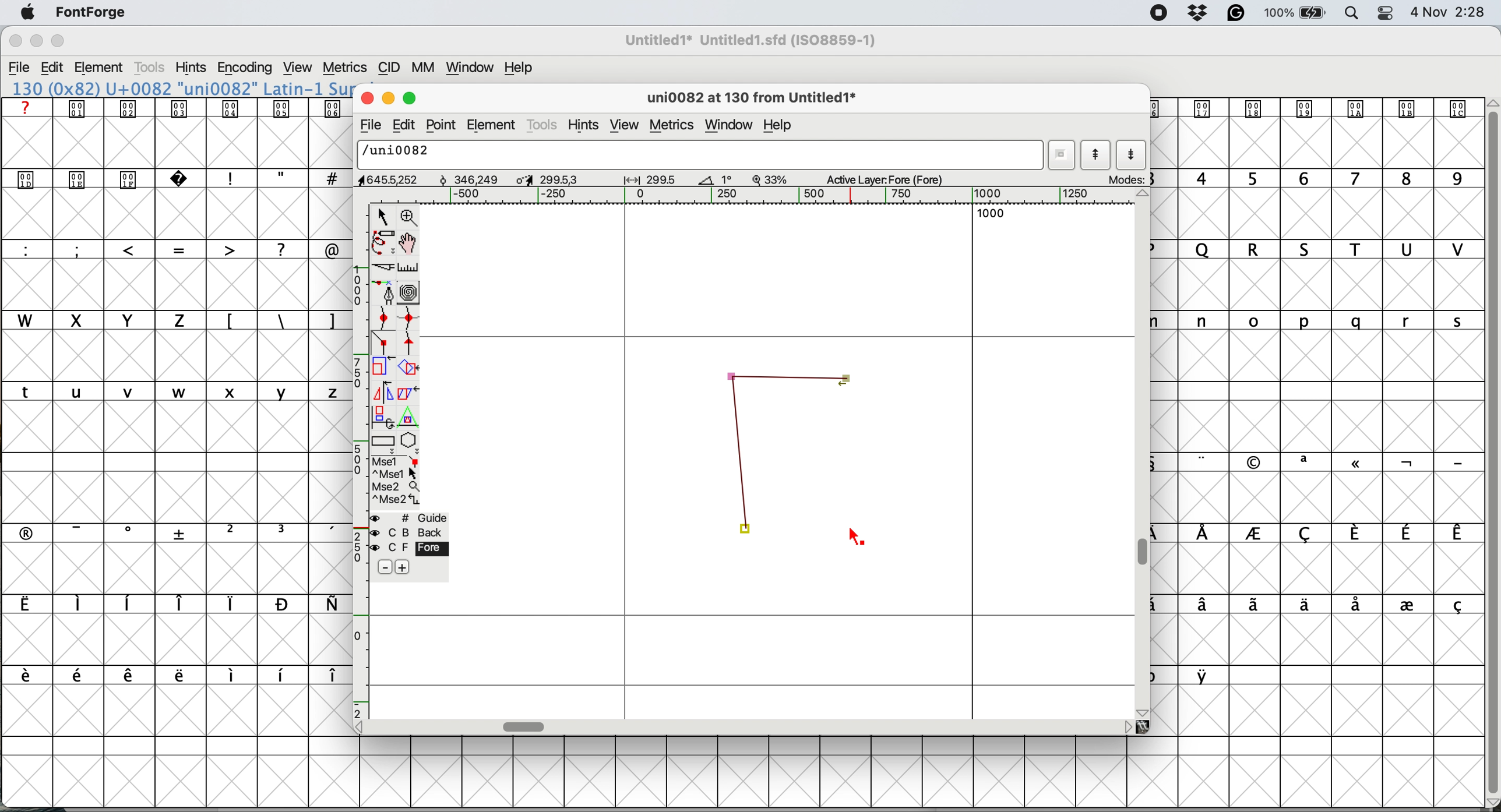 Image resolution: width=1501 pixels, height=812 pixels. Describe the element at coordinates (1325, 249) in the screenshot. I see `uppercase letters` at that location.